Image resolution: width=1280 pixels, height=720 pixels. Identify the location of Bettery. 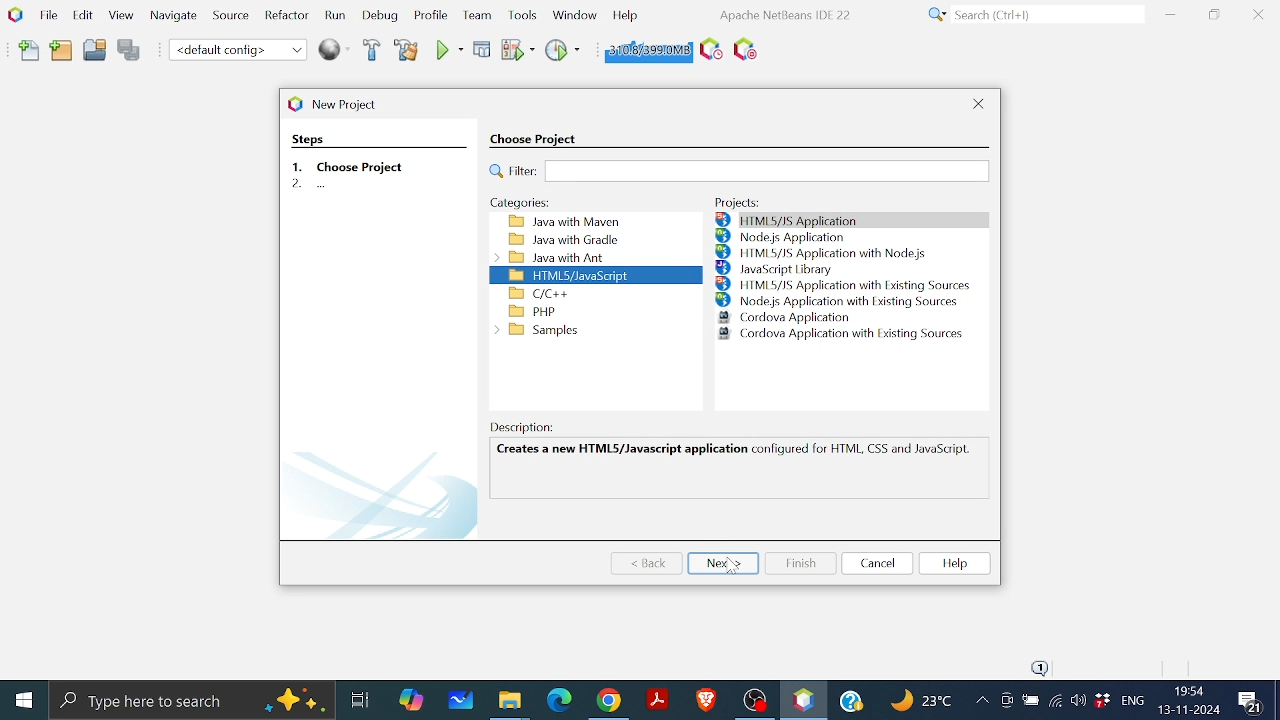
(1030, 701).